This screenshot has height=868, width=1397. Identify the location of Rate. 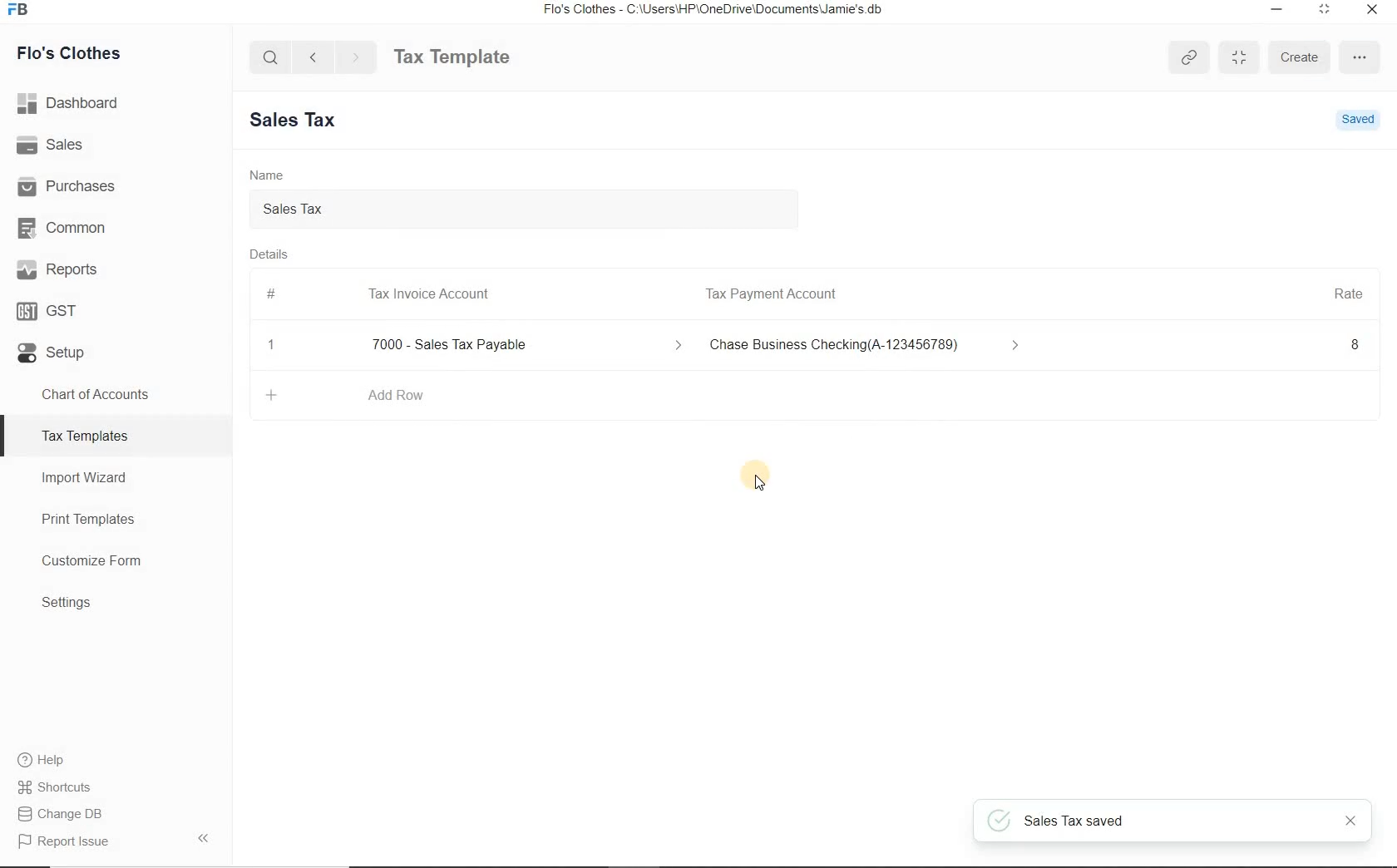
(1348, 292).